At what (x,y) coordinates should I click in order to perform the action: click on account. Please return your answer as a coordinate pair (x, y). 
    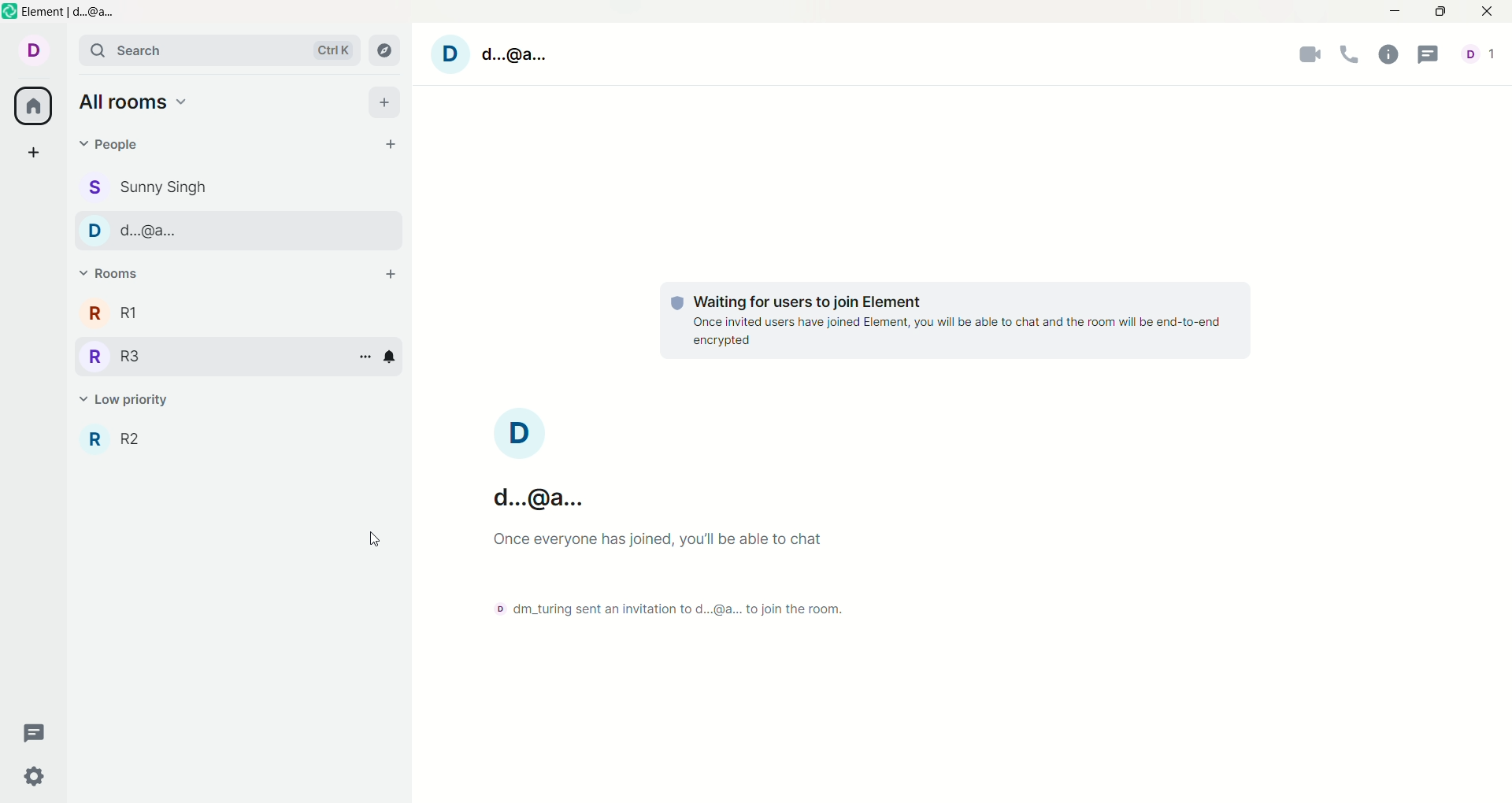
    Looking at the image, I should click on (35, 52).